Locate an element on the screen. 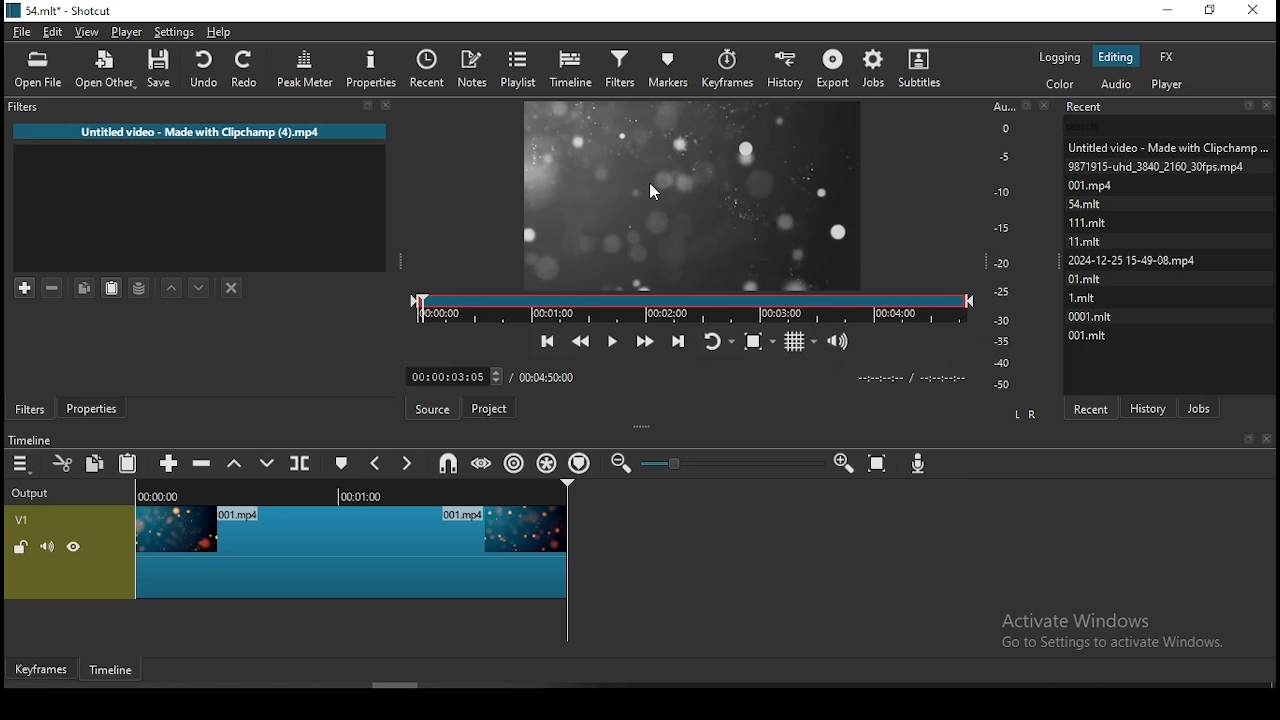 This screenshot has height=720, width=1280. ripple markers is located at coordinates (581, 462).